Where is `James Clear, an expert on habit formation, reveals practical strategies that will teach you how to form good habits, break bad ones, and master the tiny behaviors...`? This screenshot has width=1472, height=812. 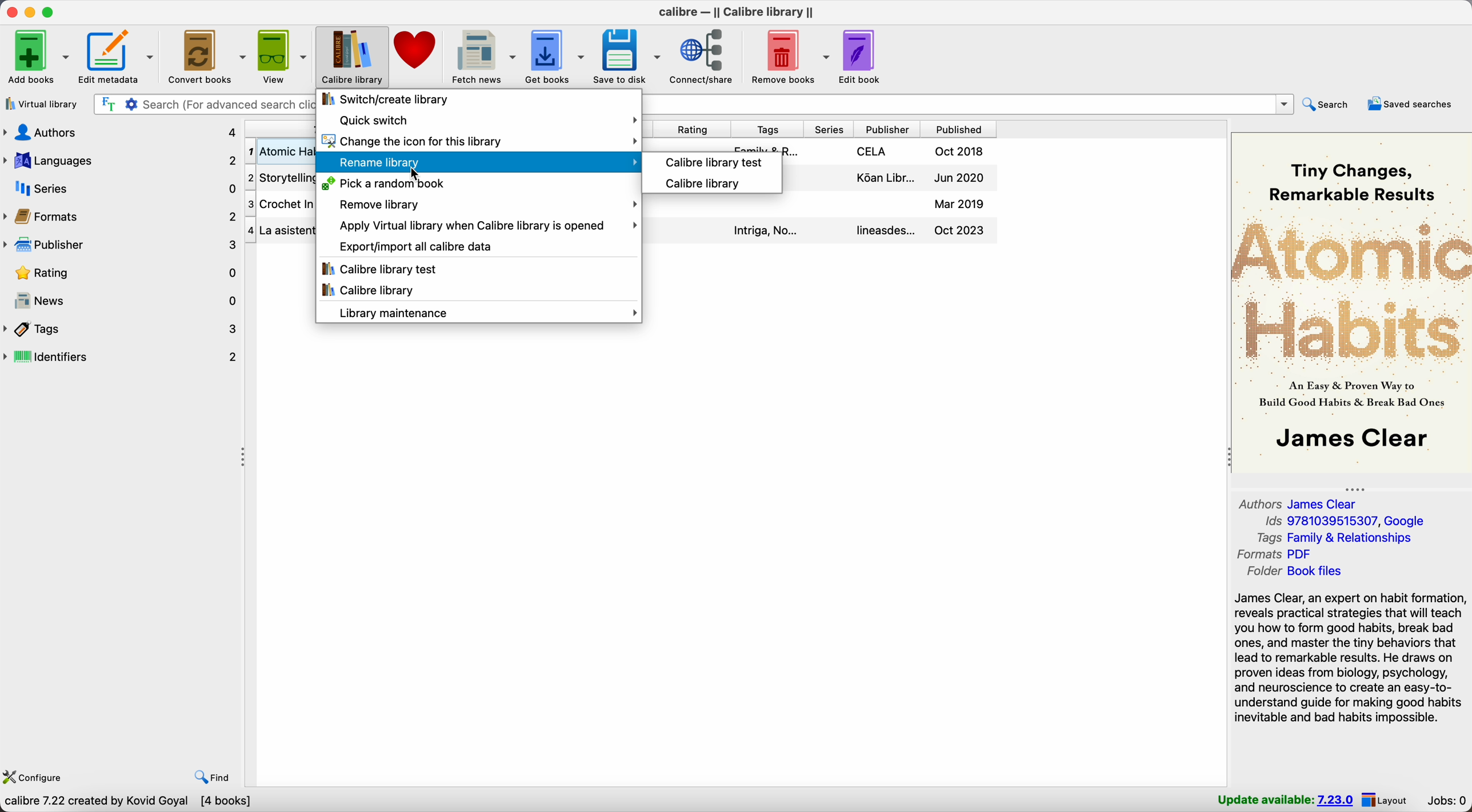
James Clear, an expert on habit formation, reveals practical strategies that will teach you how to form good habits, break bad ones, and master the tiny behaviors... is located at coordinates (1351, 658).